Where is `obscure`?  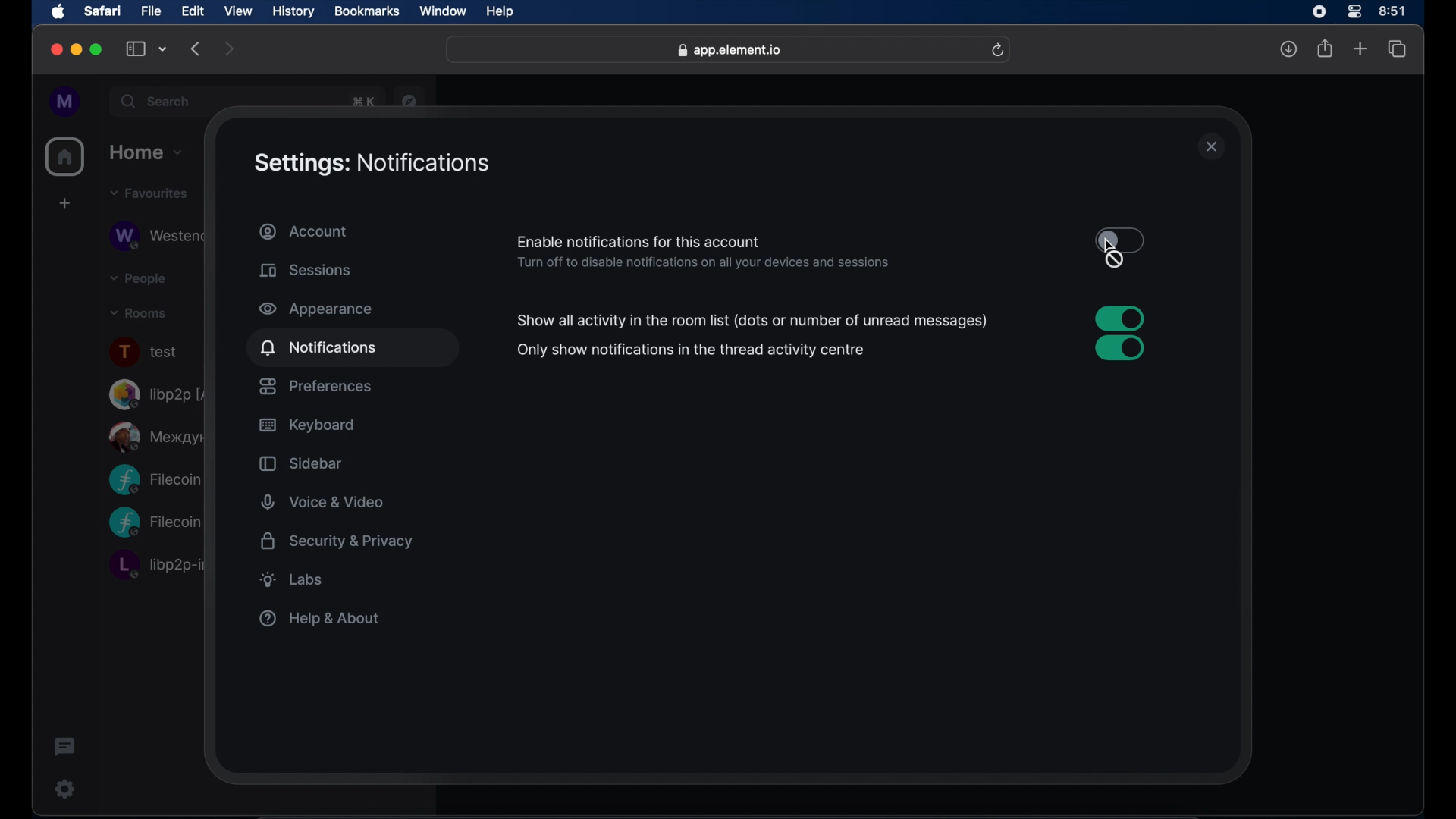
obscure is located at coordinates (159, 235).